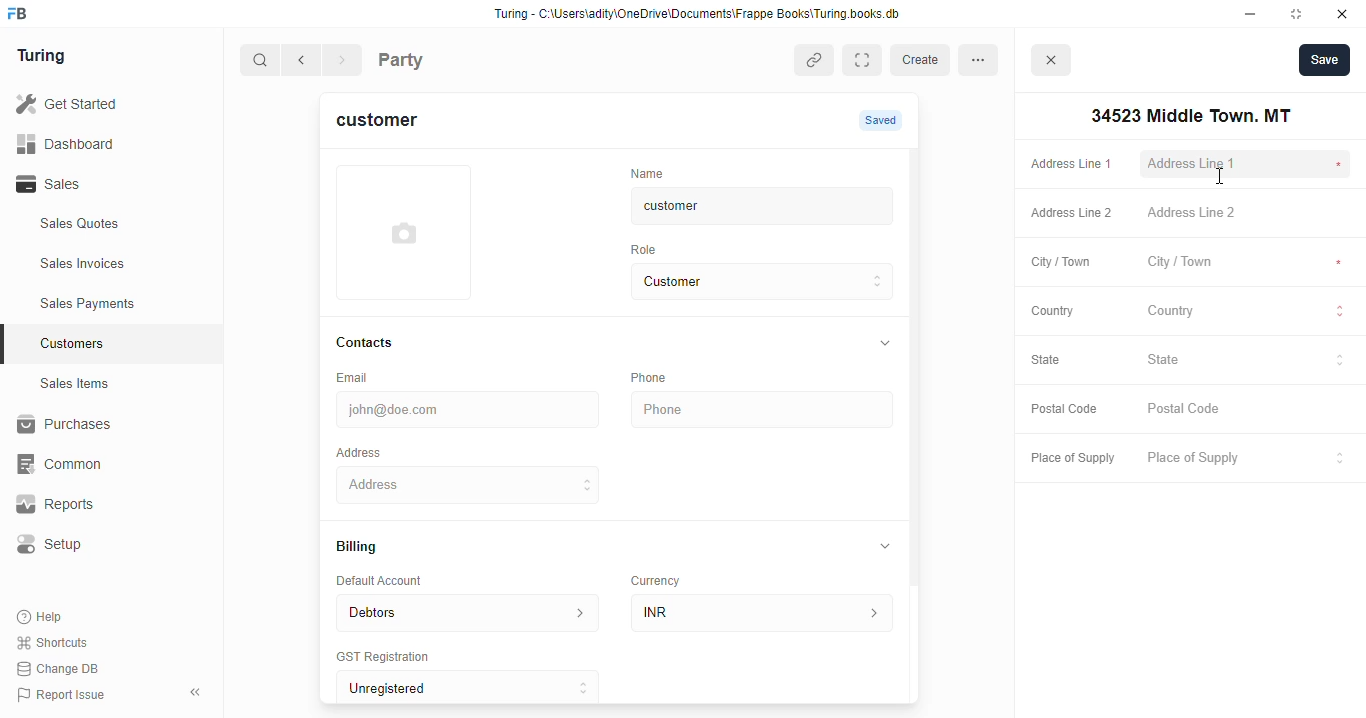  Describe the element at coordinates (42, 618) in the screenshot. I see `Help` at that location.